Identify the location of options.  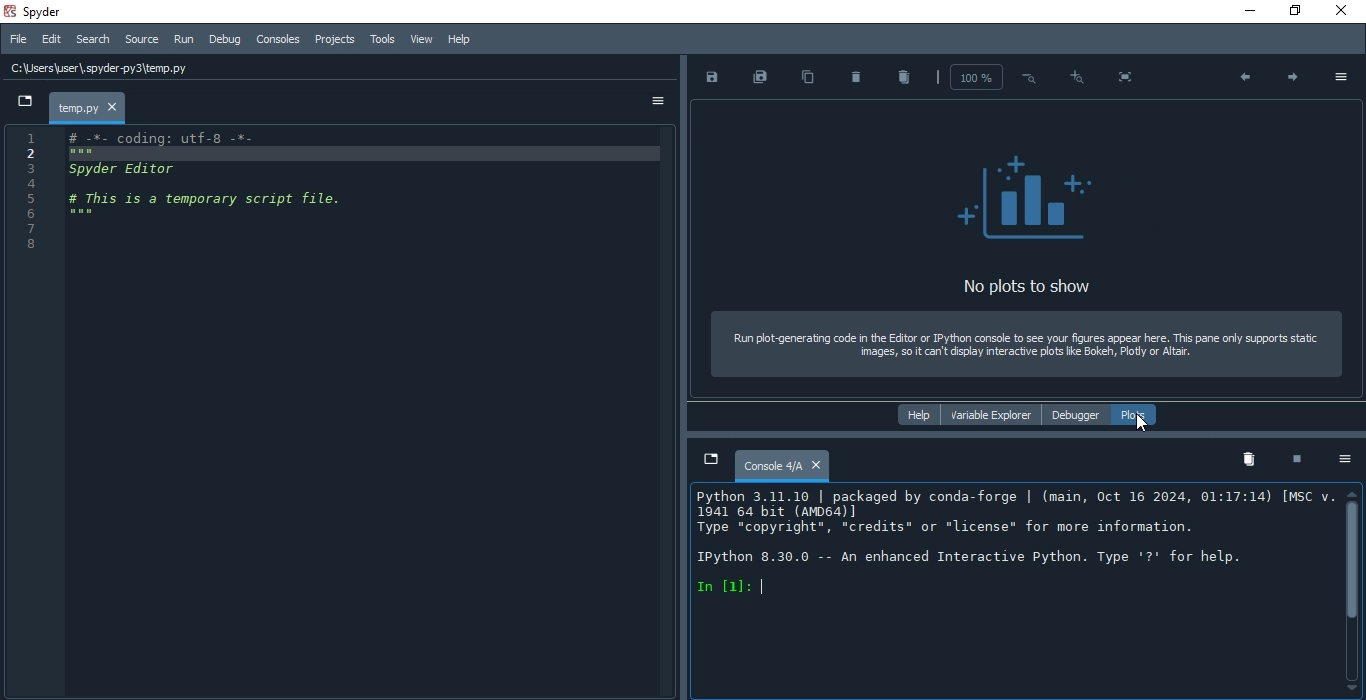
(1341, 76).